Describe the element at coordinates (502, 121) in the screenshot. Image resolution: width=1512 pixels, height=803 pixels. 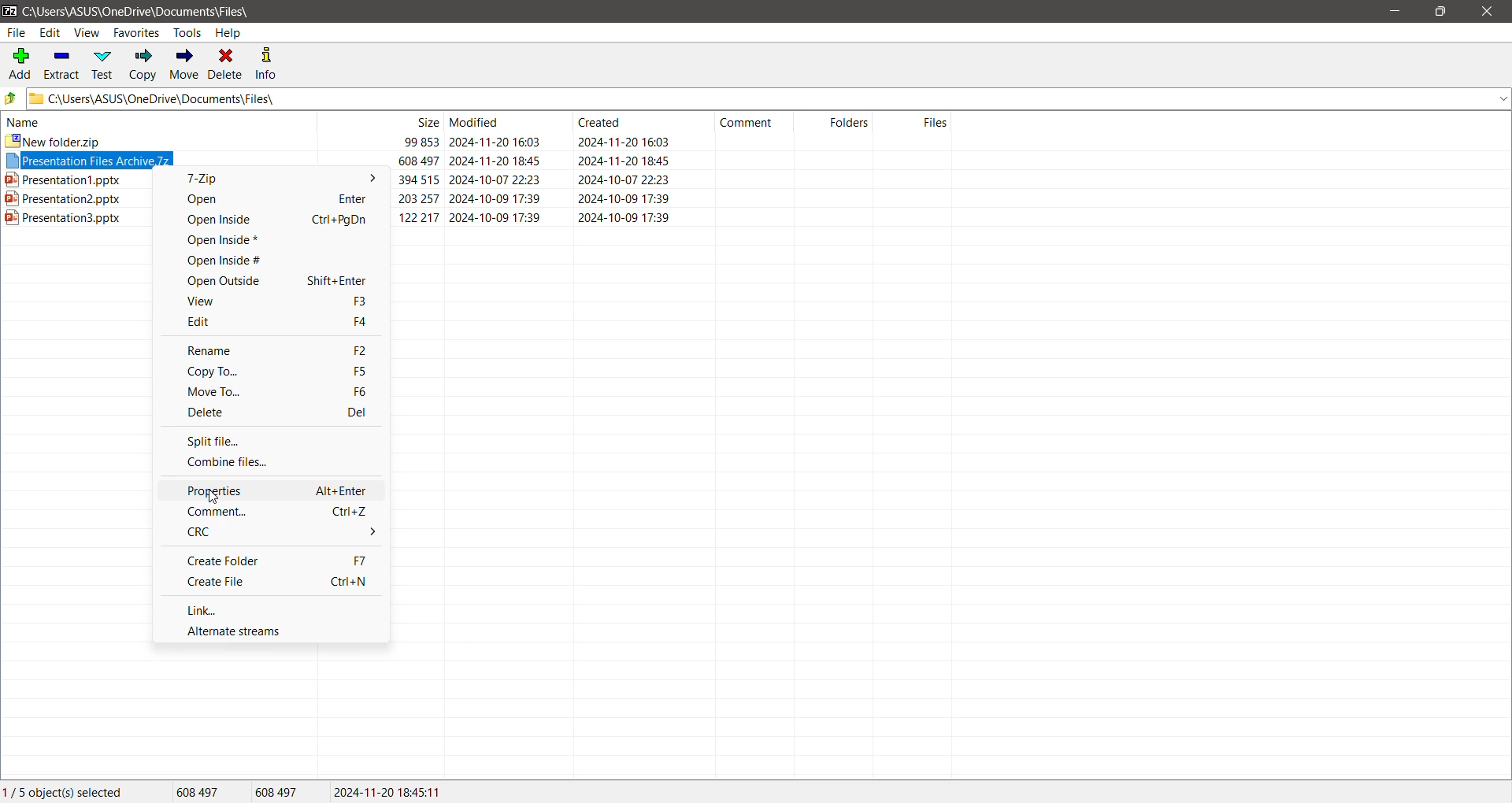
I see `modified` at that location.